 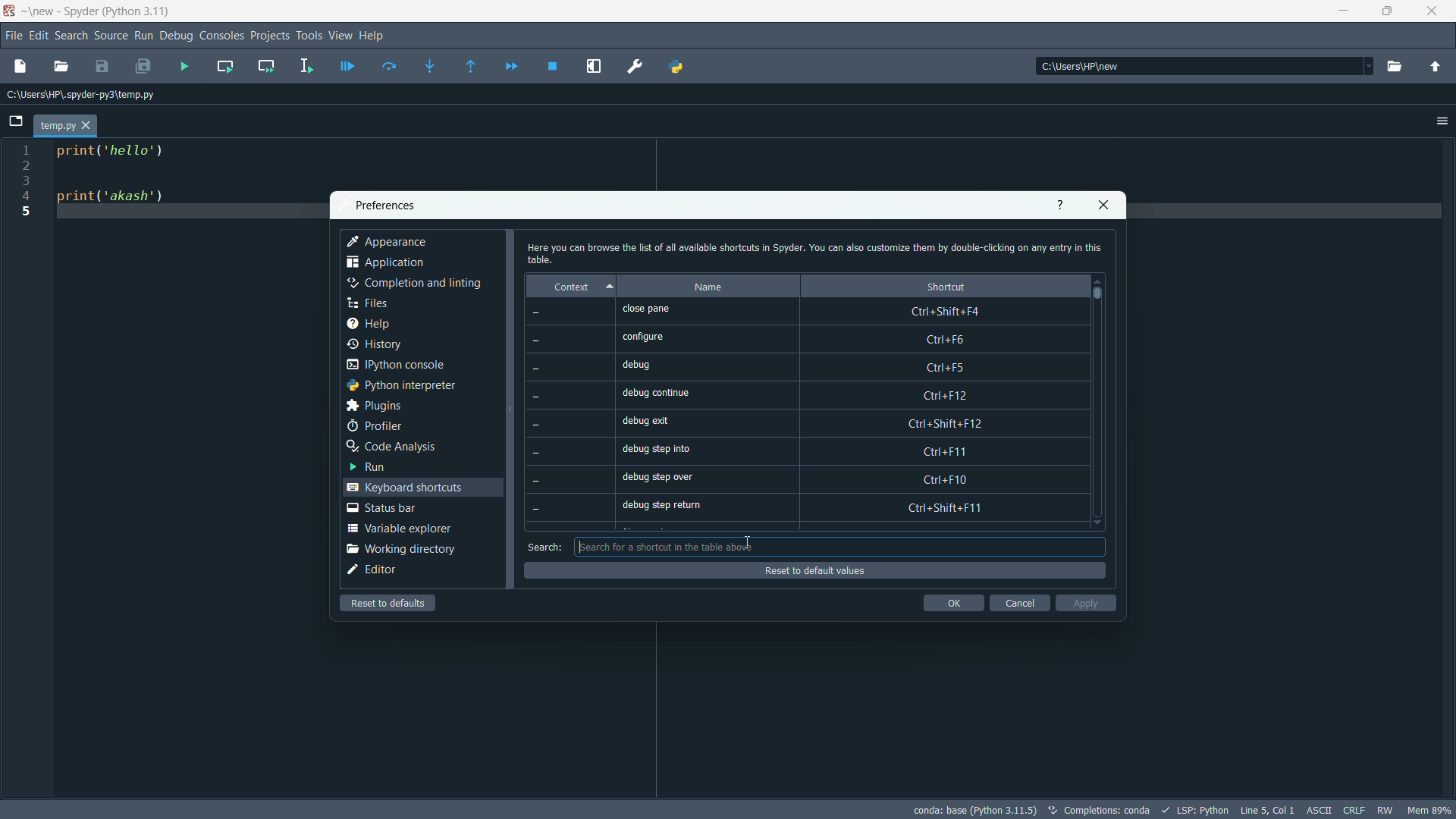 I want to click on maximize, so click(x=1388, y=11).